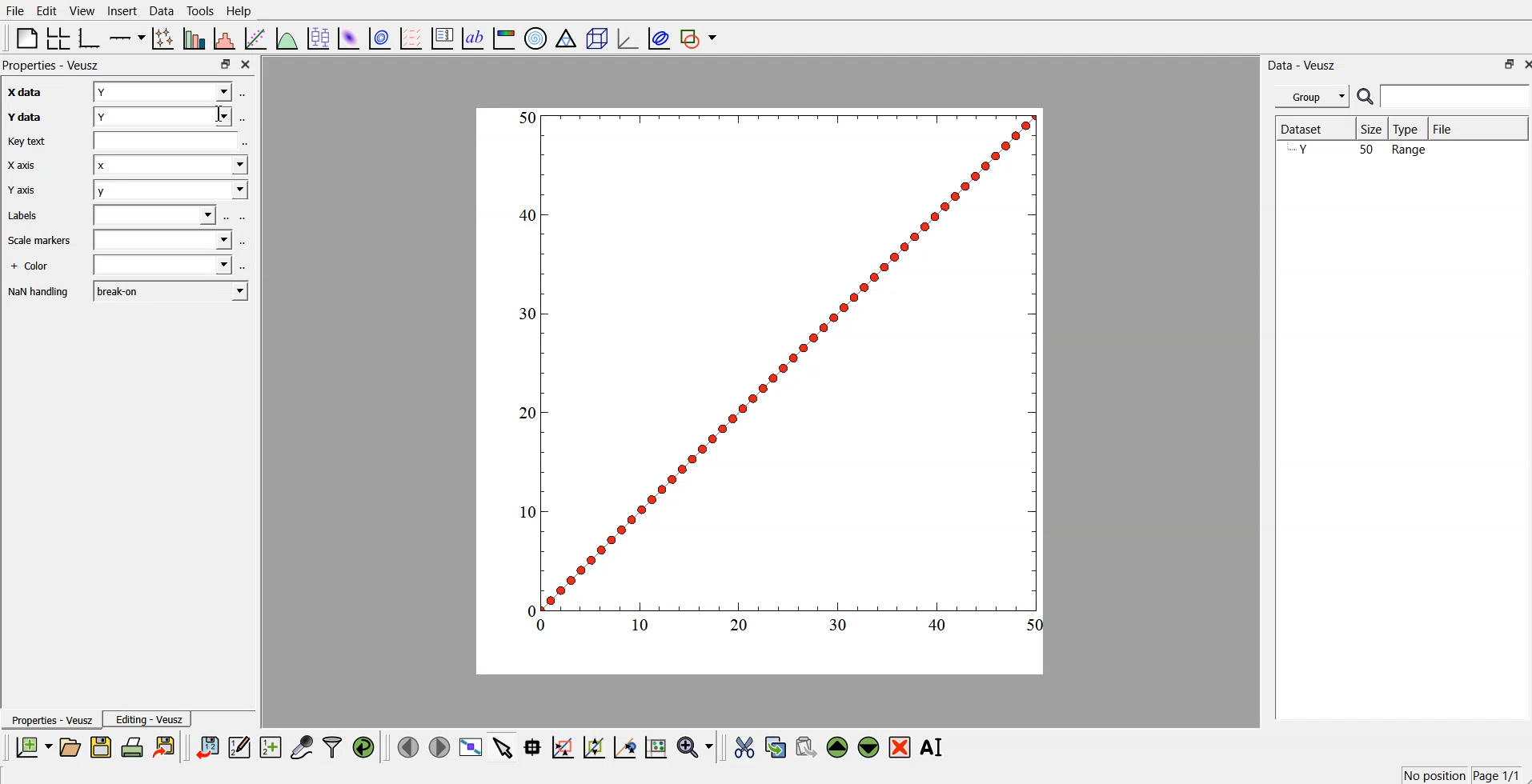  What do you see at coordinates (410, 36) in the screenshot?
I see `plot vector field` at bounding box center [410, 36].